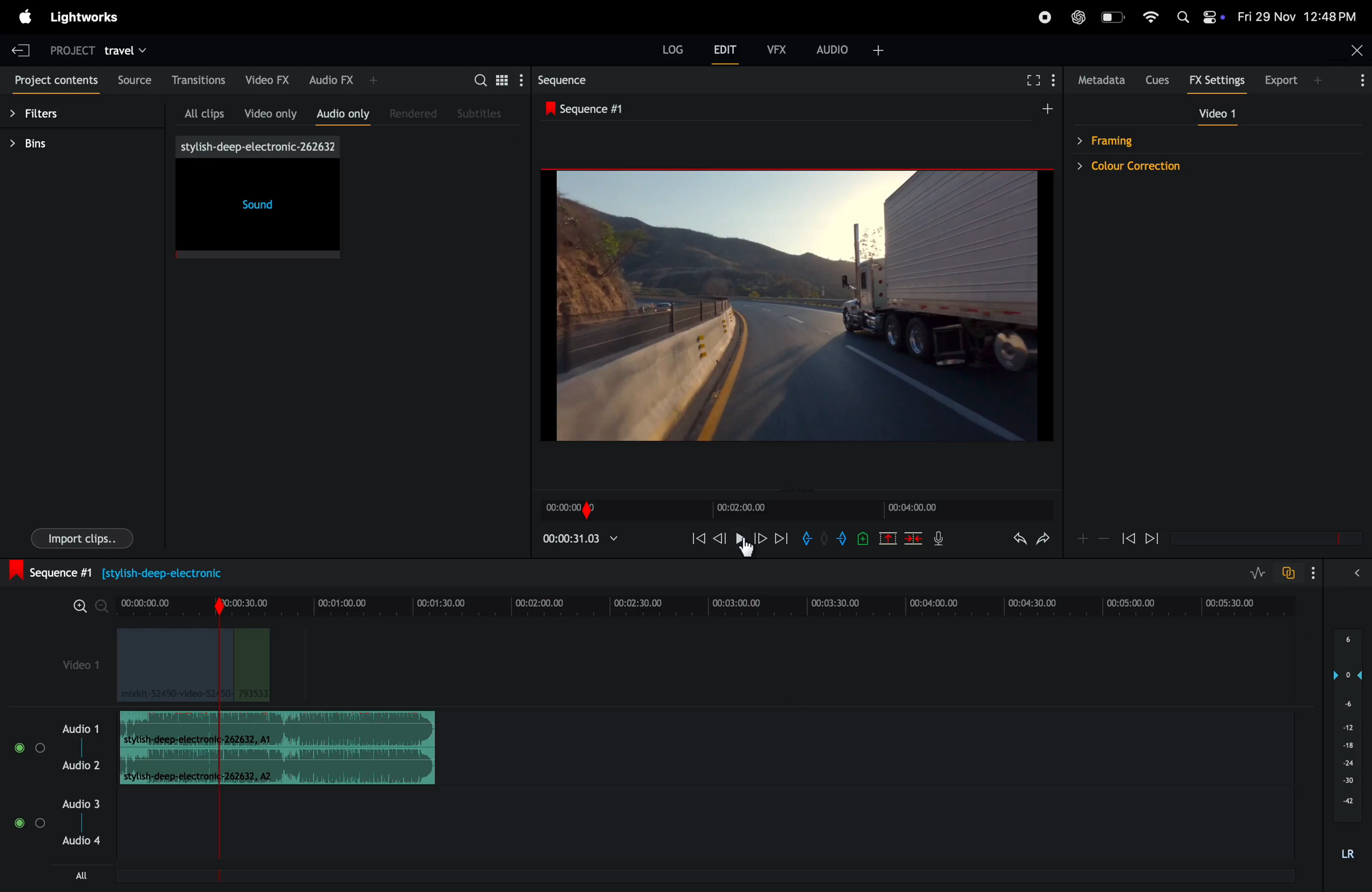 The image size is (1372, 892). I want to click on transactions, so click(200, 80).